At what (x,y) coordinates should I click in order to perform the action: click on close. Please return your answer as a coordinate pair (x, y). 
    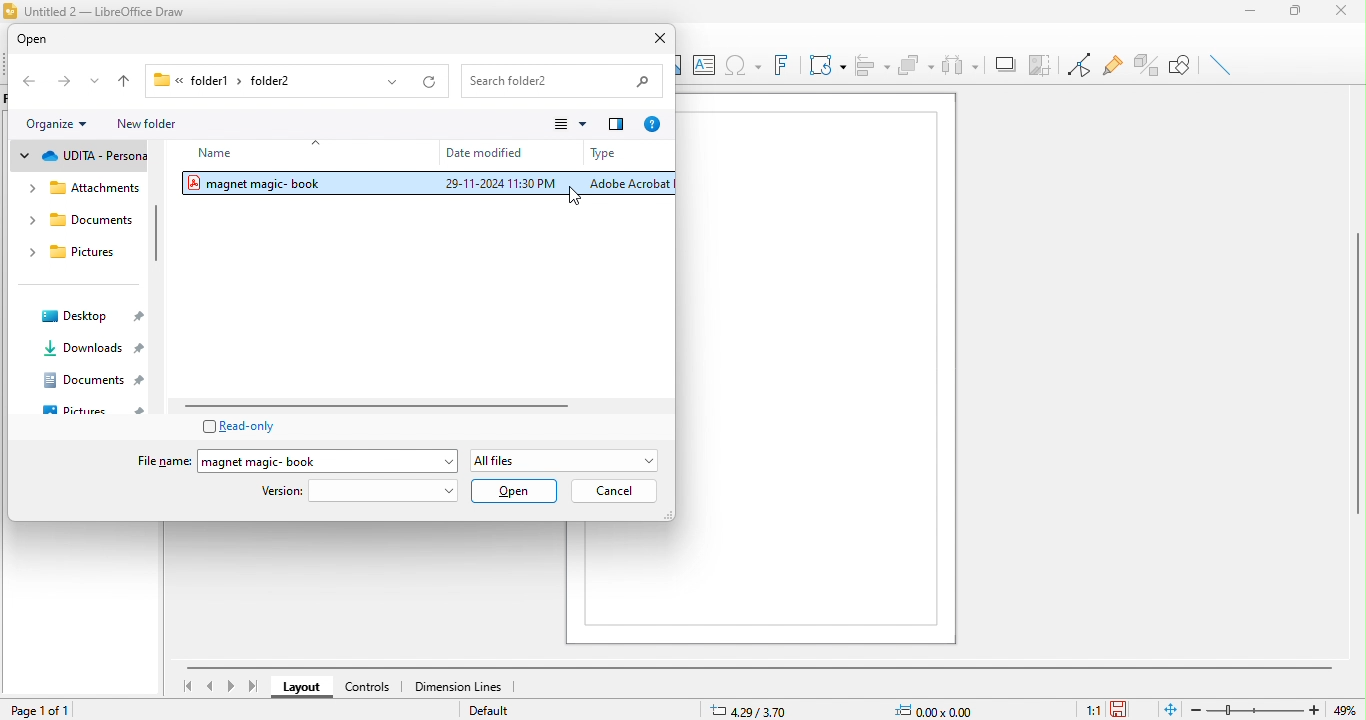
    Looking at the image, I should click on (655, 41).